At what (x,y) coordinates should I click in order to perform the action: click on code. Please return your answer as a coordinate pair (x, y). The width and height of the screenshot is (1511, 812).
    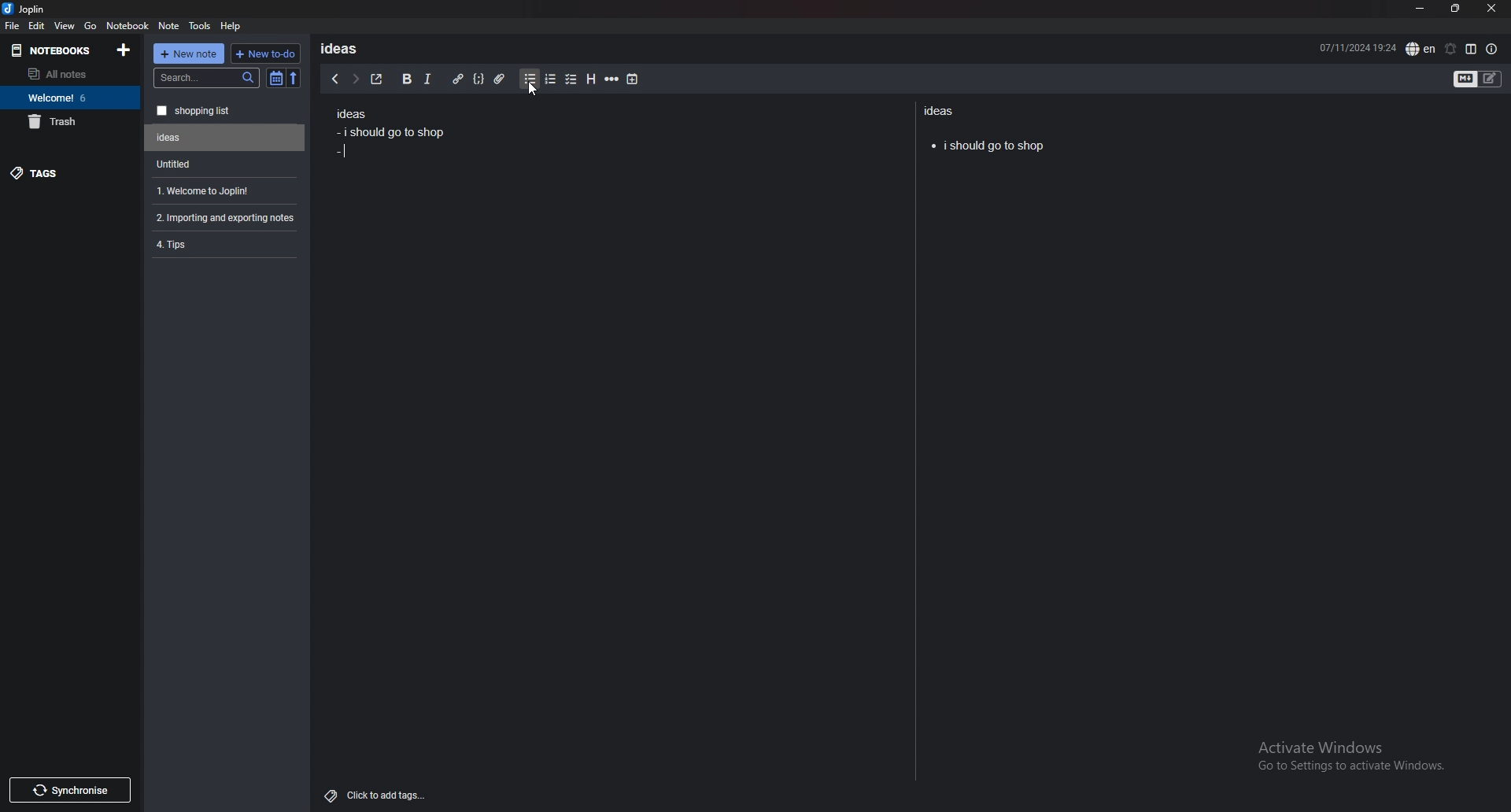
    Looking at the image, I should click on (478, 79).